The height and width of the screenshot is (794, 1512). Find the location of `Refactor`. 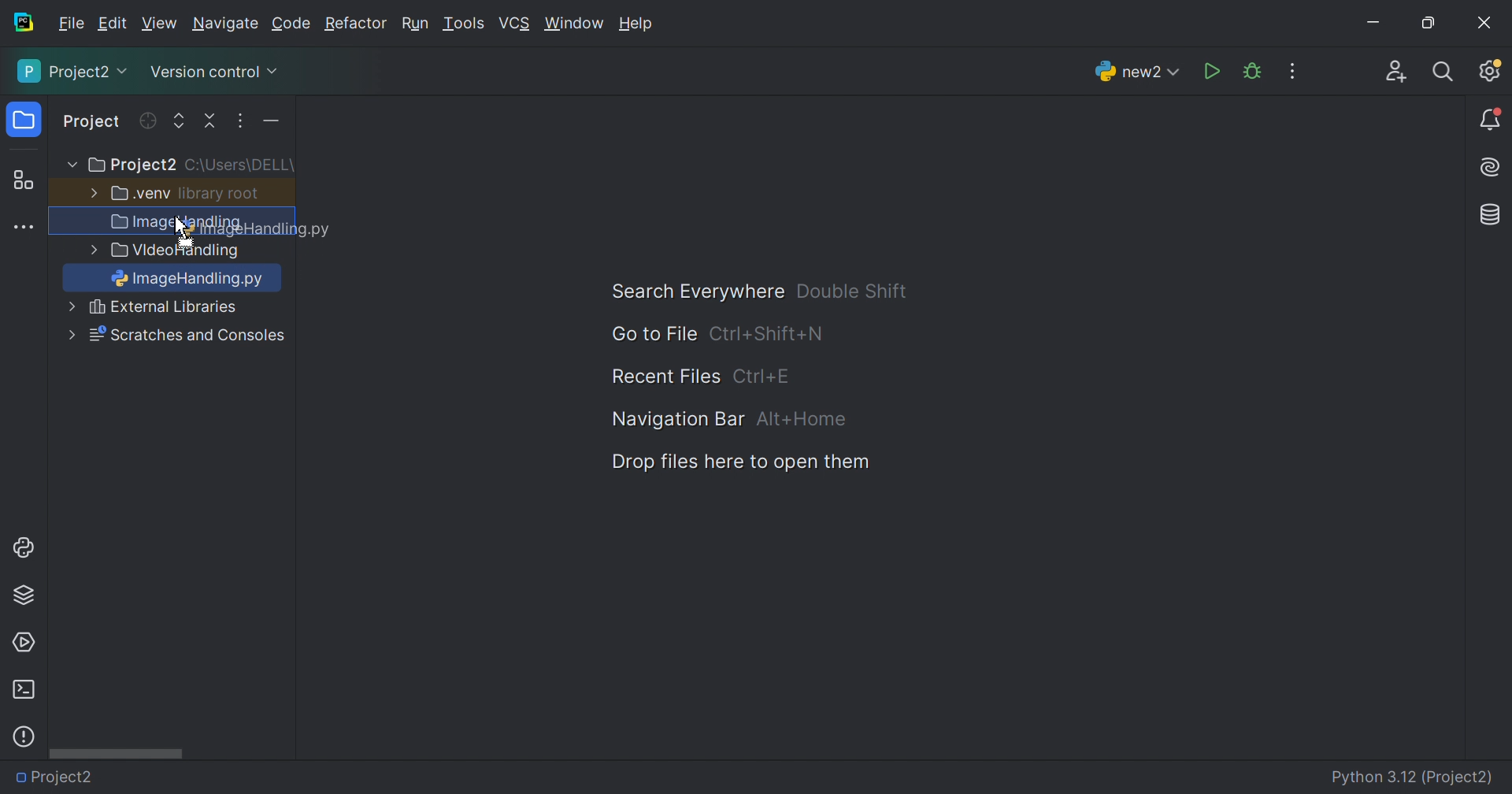

Refactor is located at coordinates (354, 25).